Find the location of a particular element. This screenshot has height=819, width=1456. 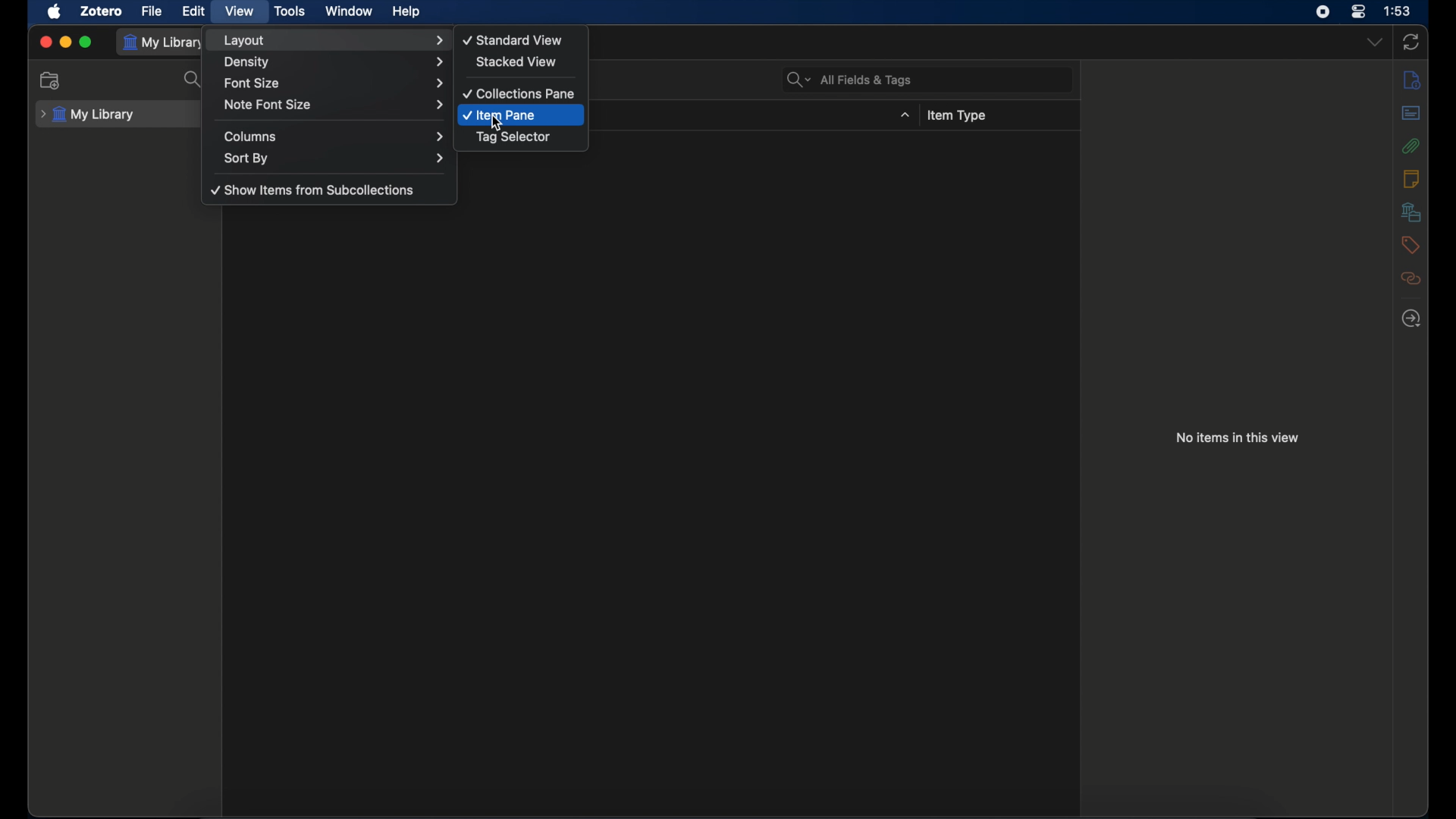

related is located at coordinates (1410, 278).